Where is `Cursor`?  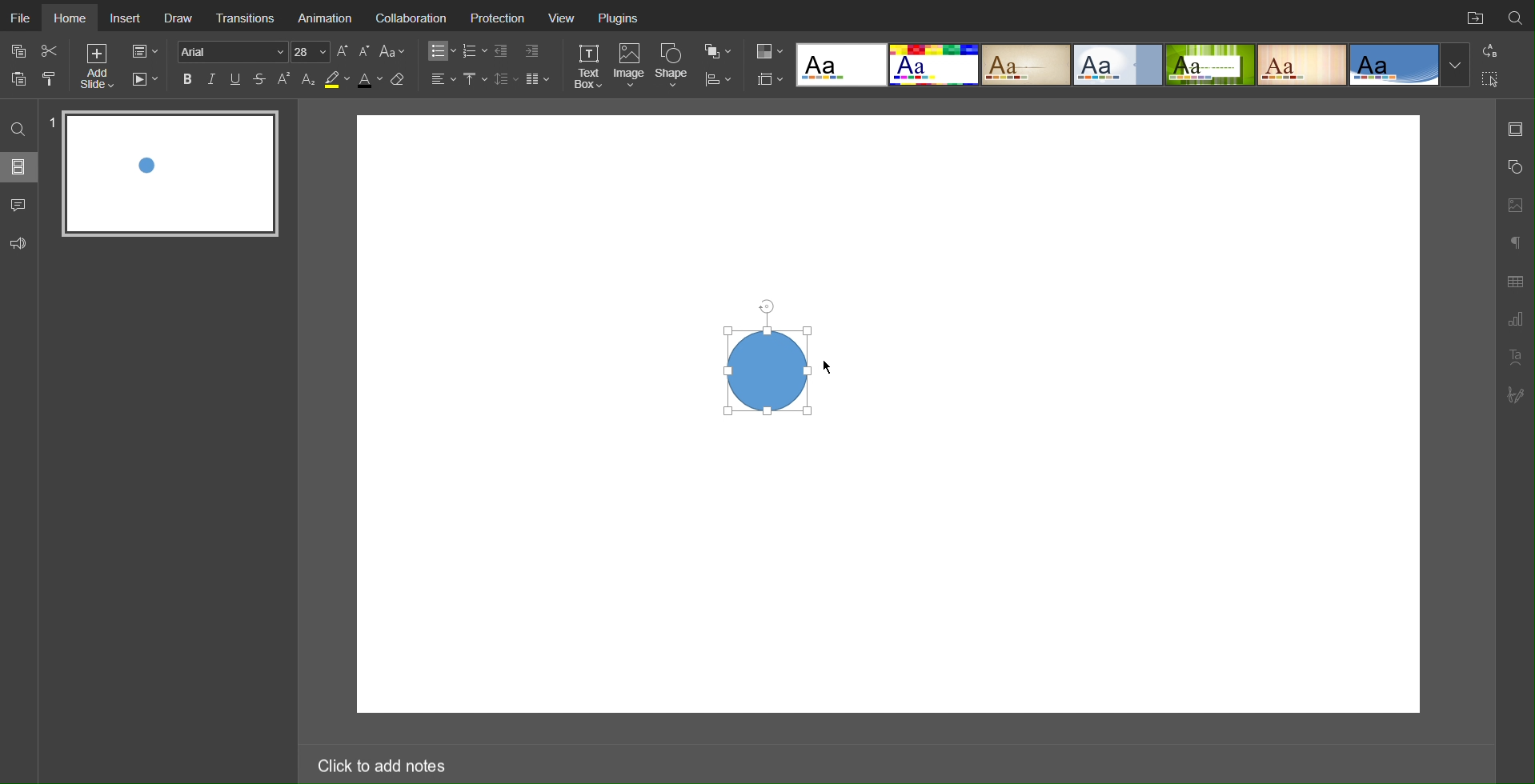
Cursor is located at coordinates (829, 369).